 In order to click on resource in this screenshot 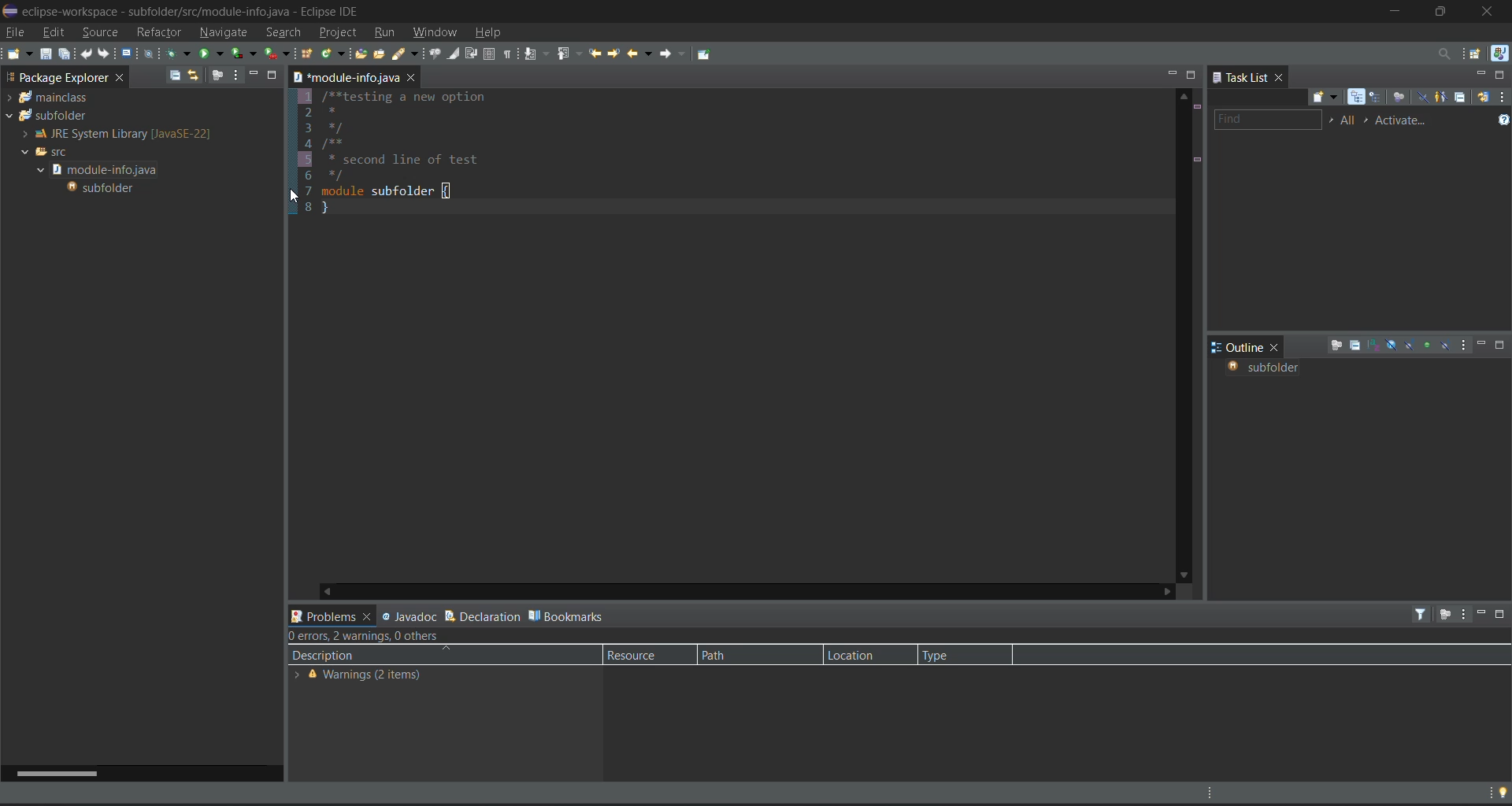, I will do `click(639, 655)`.